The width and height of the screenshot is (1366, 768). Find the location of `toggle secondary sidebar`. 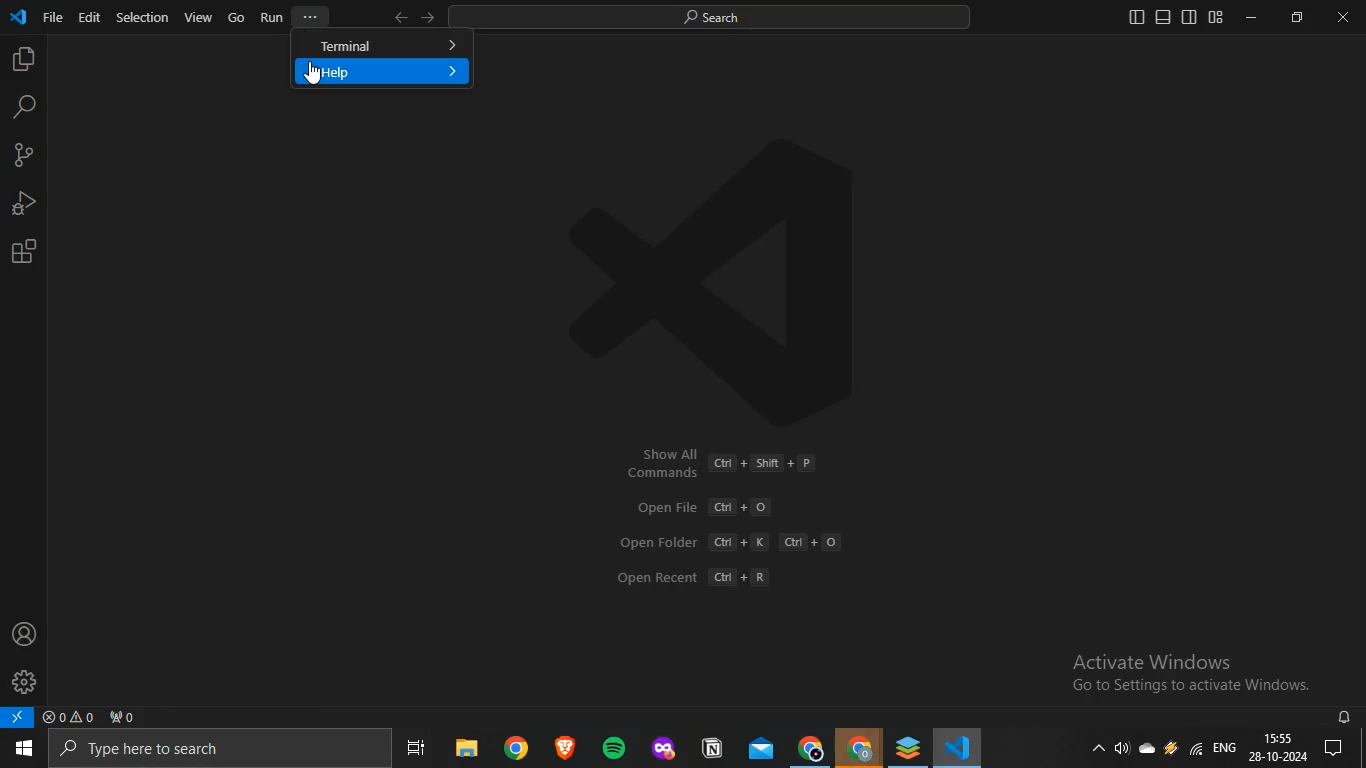

toggle secondary sidebar is located at coordinates (1190, 17).